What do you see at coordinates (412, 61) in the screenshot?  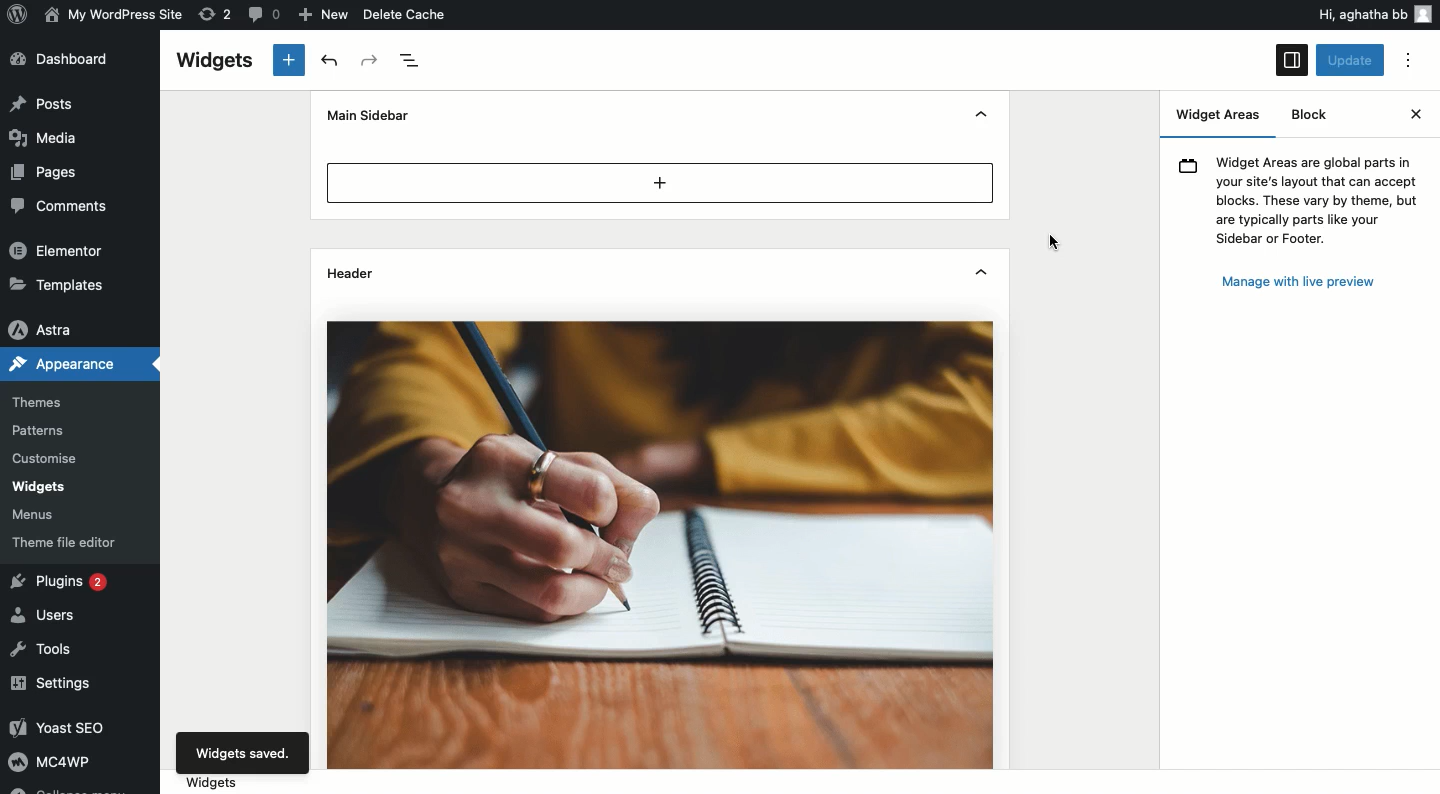 I see `Document overview` at bounding box center [412, 61].